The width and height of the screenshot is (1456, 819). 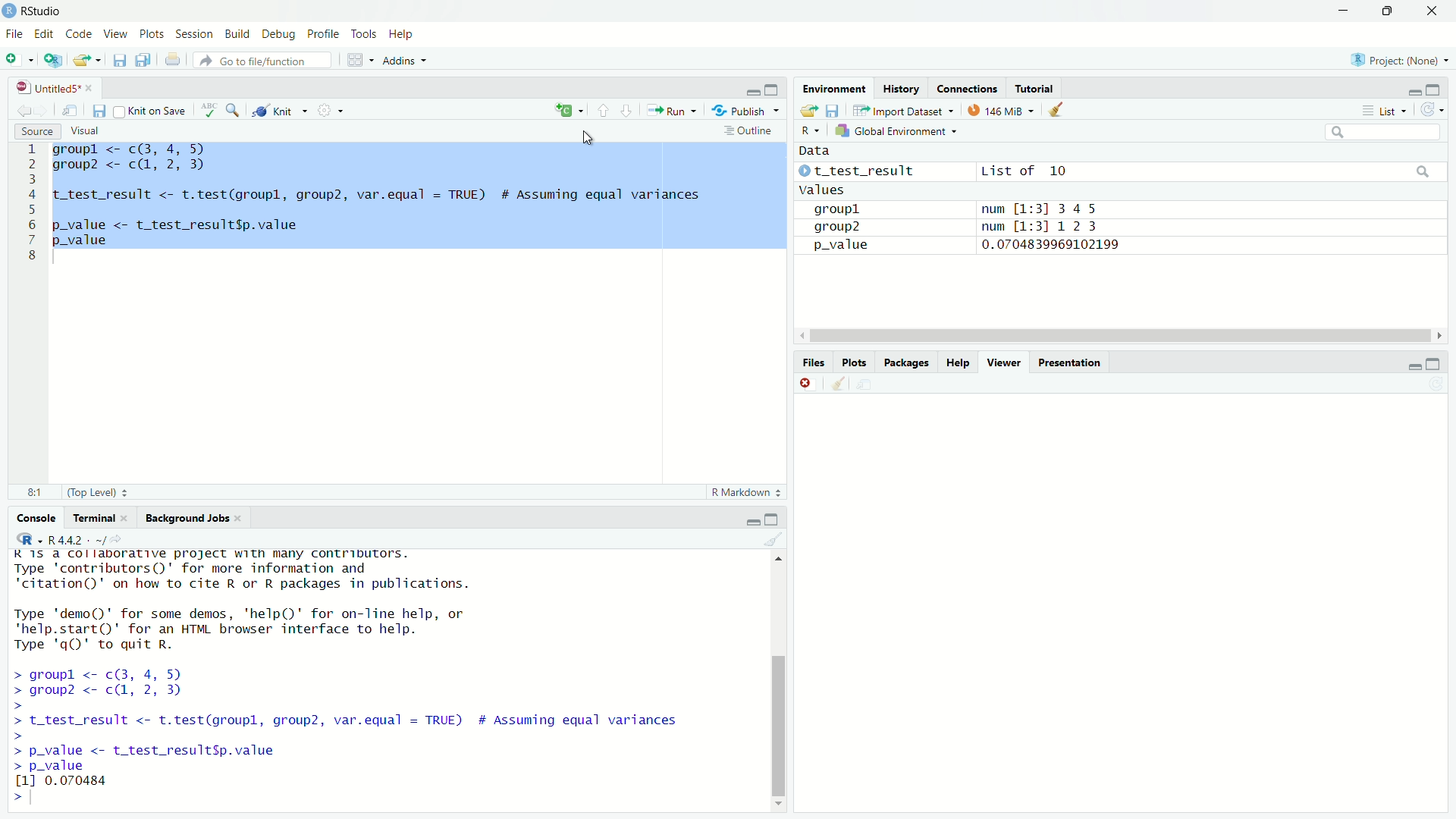 What do you see at coordinates (154, 109) in the screenshot?
I see `Knit on Save` at bounding box center [154, 109].